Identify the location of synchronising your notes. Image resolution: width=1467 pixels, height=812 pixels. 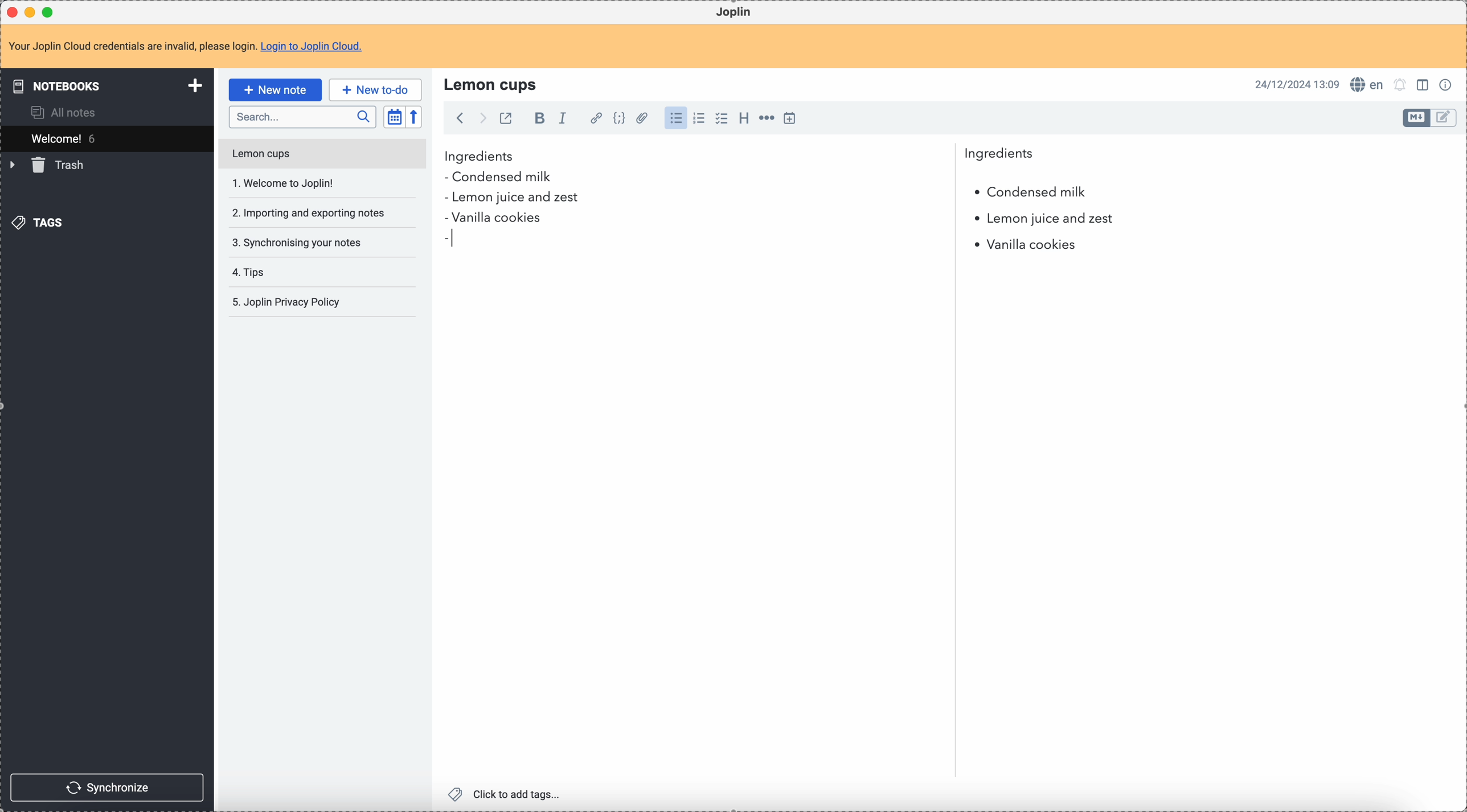
(296, 241).